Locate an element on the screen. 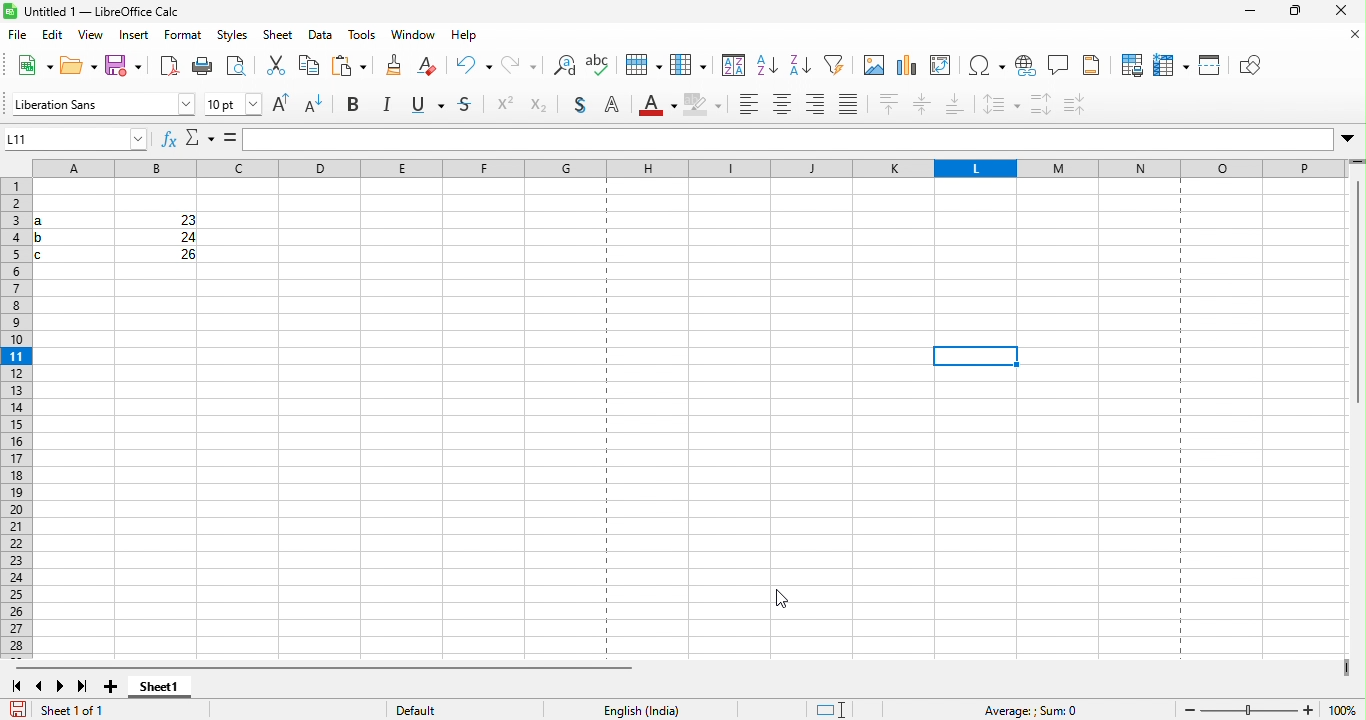  new is located at coordinates (33, 66).